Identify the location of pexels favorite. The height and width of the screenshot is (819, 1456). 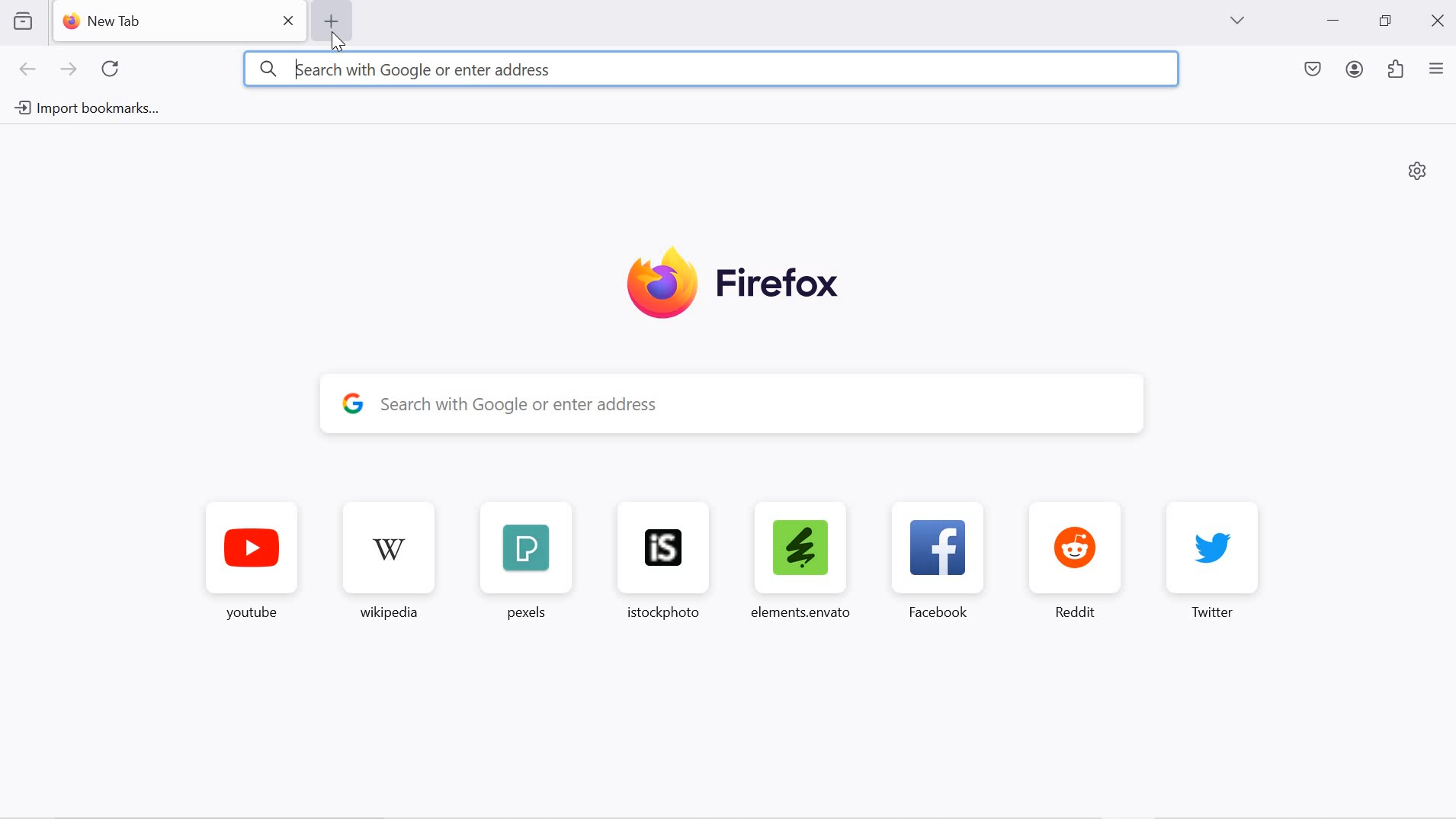
(523, 562).